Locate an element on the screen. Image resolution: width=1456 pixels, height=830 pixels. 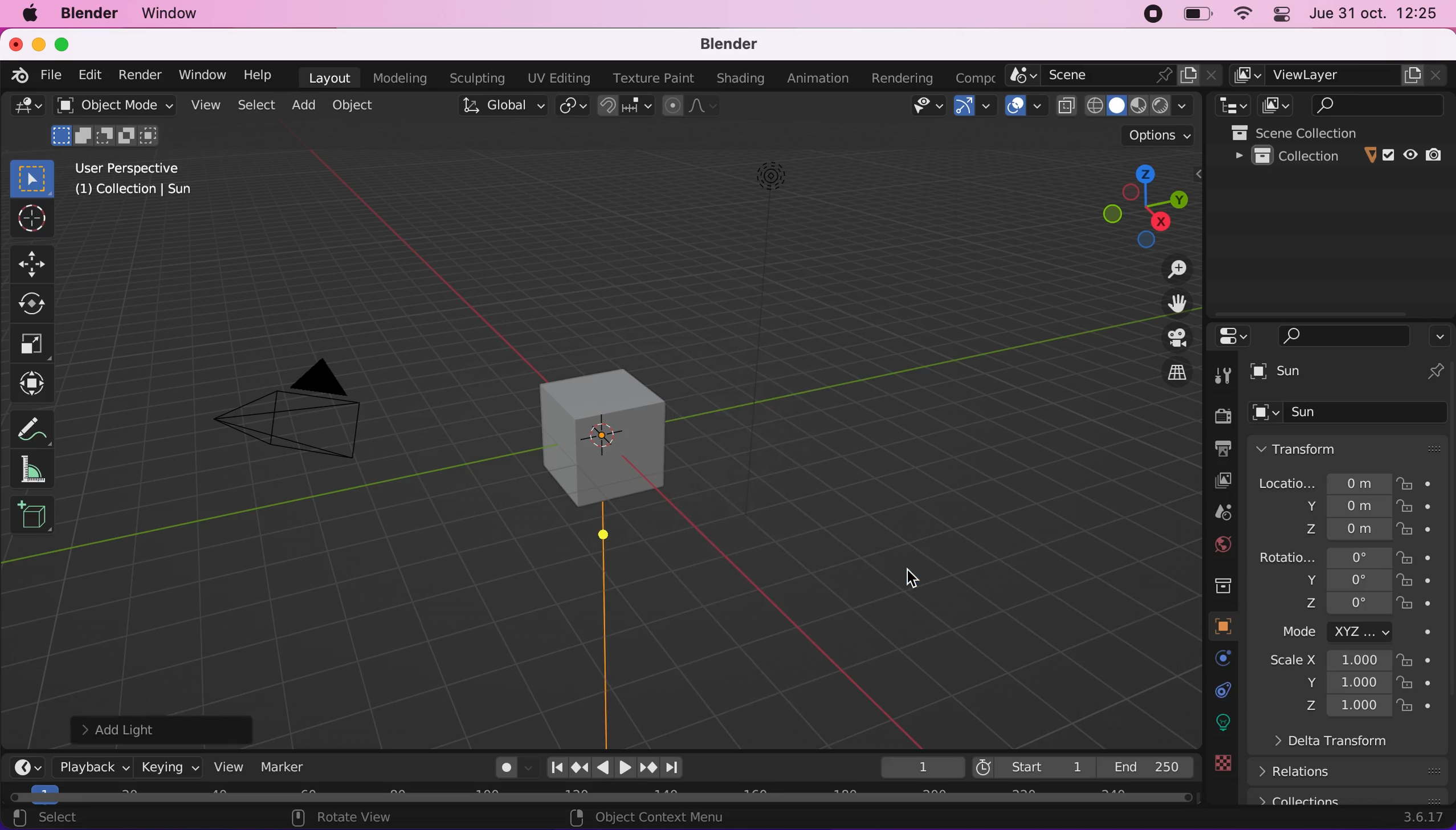
y 0 is located at coordinates (1344, 580).